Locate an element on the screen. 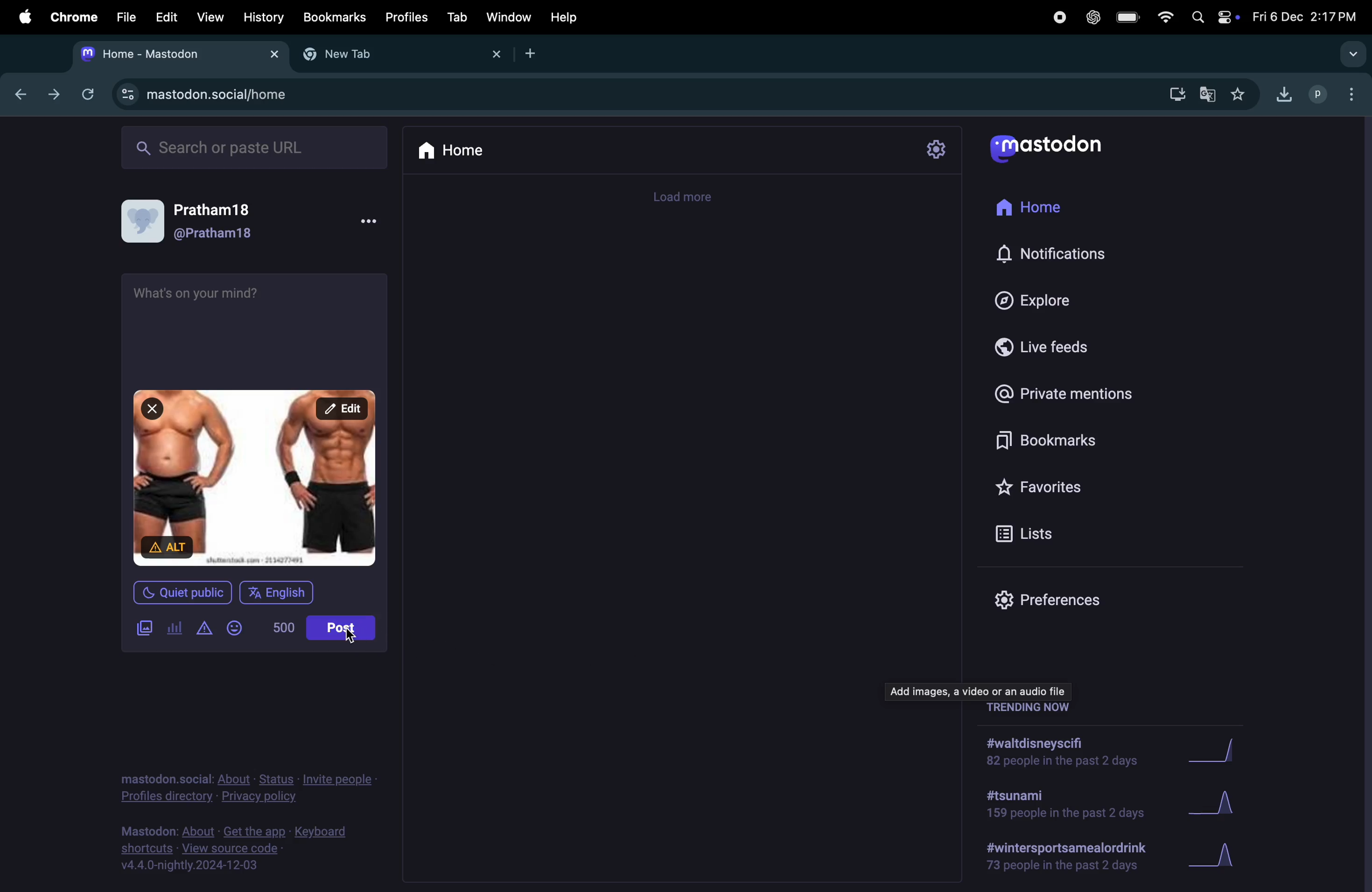 This screenshot has height=892, width=1372. chrome is located at coordinates (72, 17).